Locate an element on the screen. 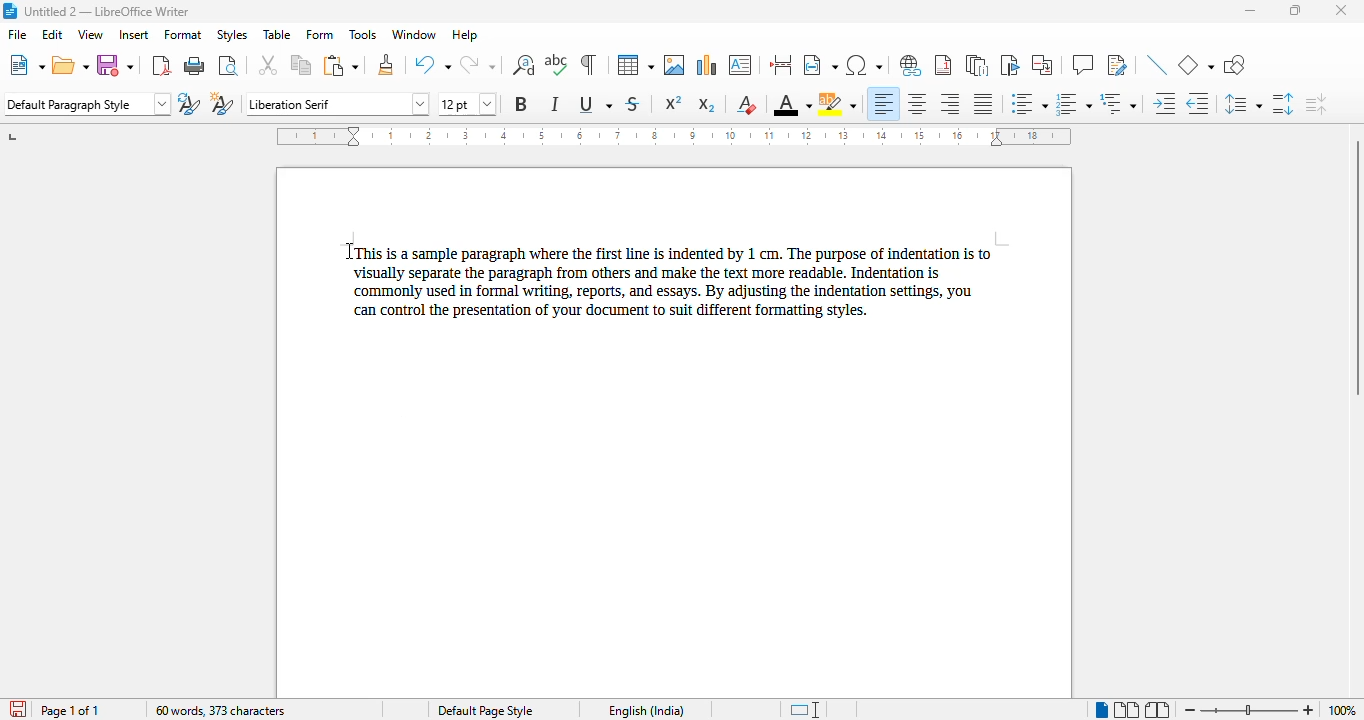 The image size is (1364, 720). toggle ordered list is located at coordinates (1074, 103).